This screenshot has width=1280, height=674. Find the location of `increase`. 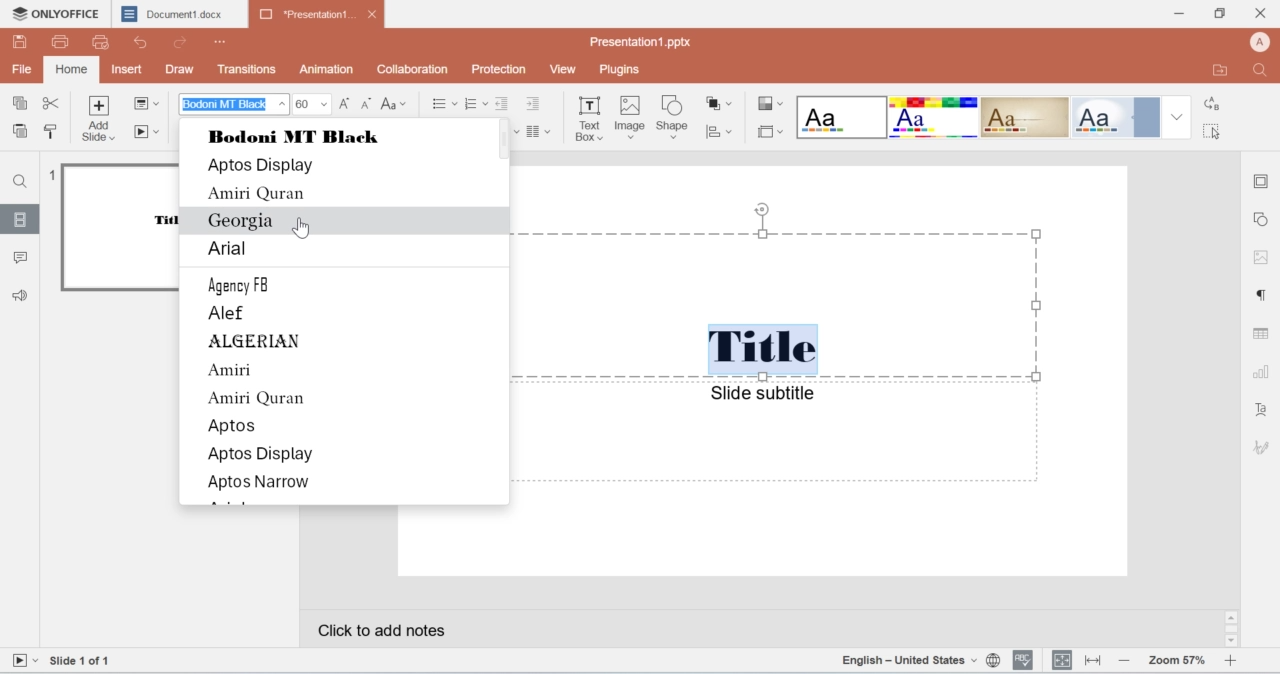

increase is located at coordinates (1231, 661).